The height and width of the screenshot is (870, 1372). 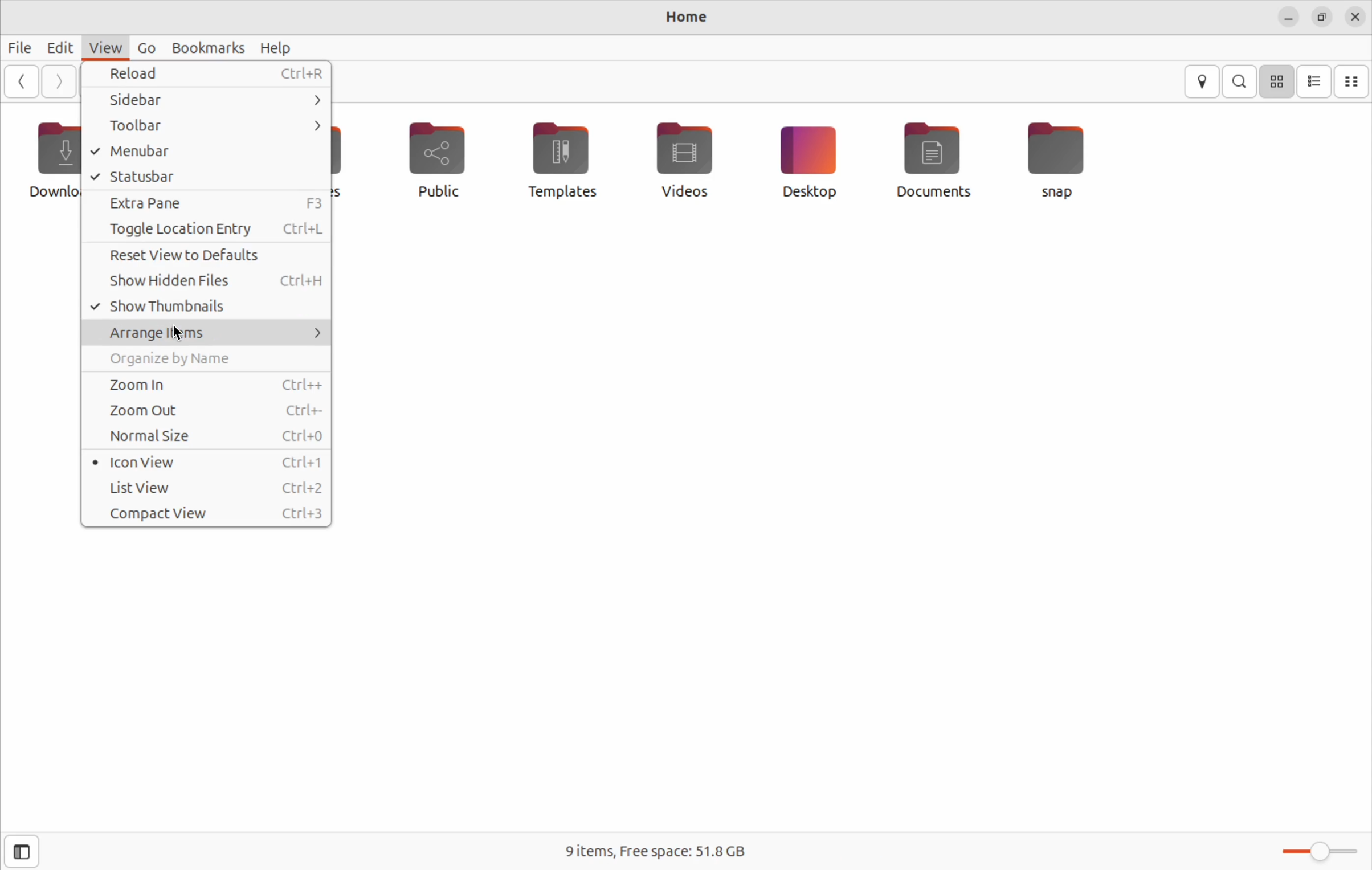 I want to click on zoom out, so click(x=208, y=410).